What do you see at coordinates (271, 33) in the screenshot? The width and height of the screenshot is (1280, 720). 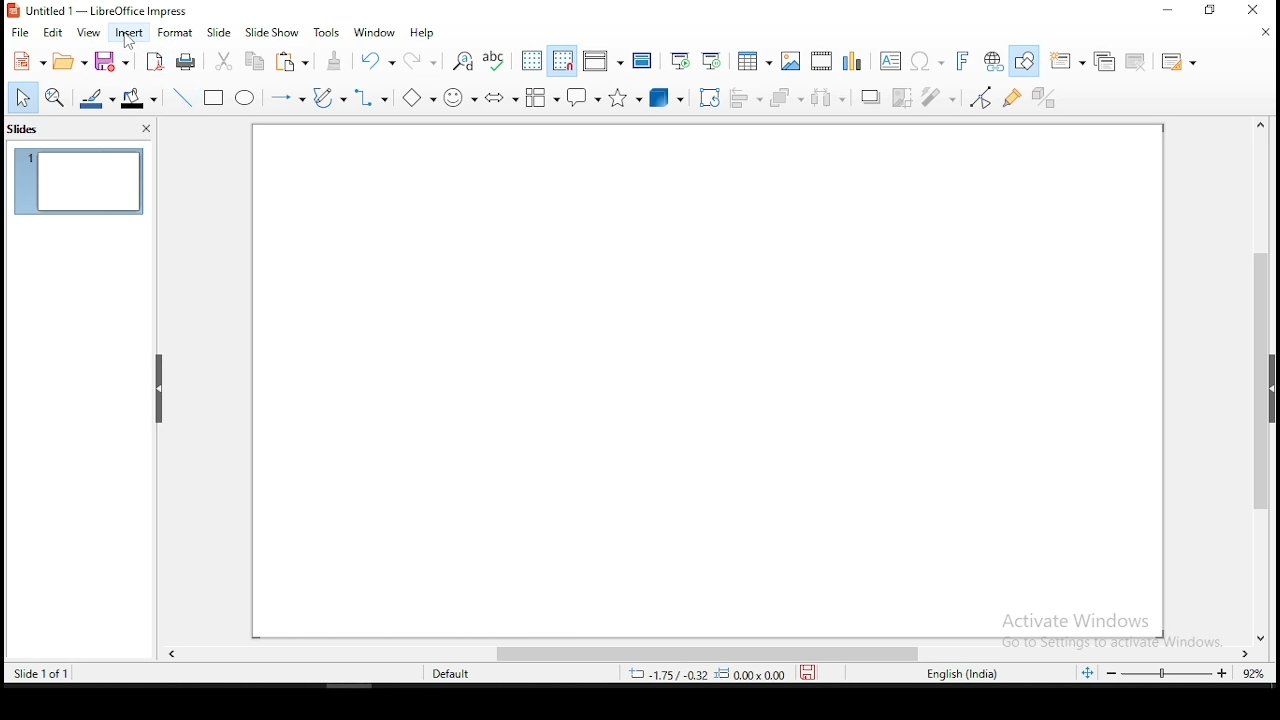 I see `slide show` at bounding box center [271, 33].